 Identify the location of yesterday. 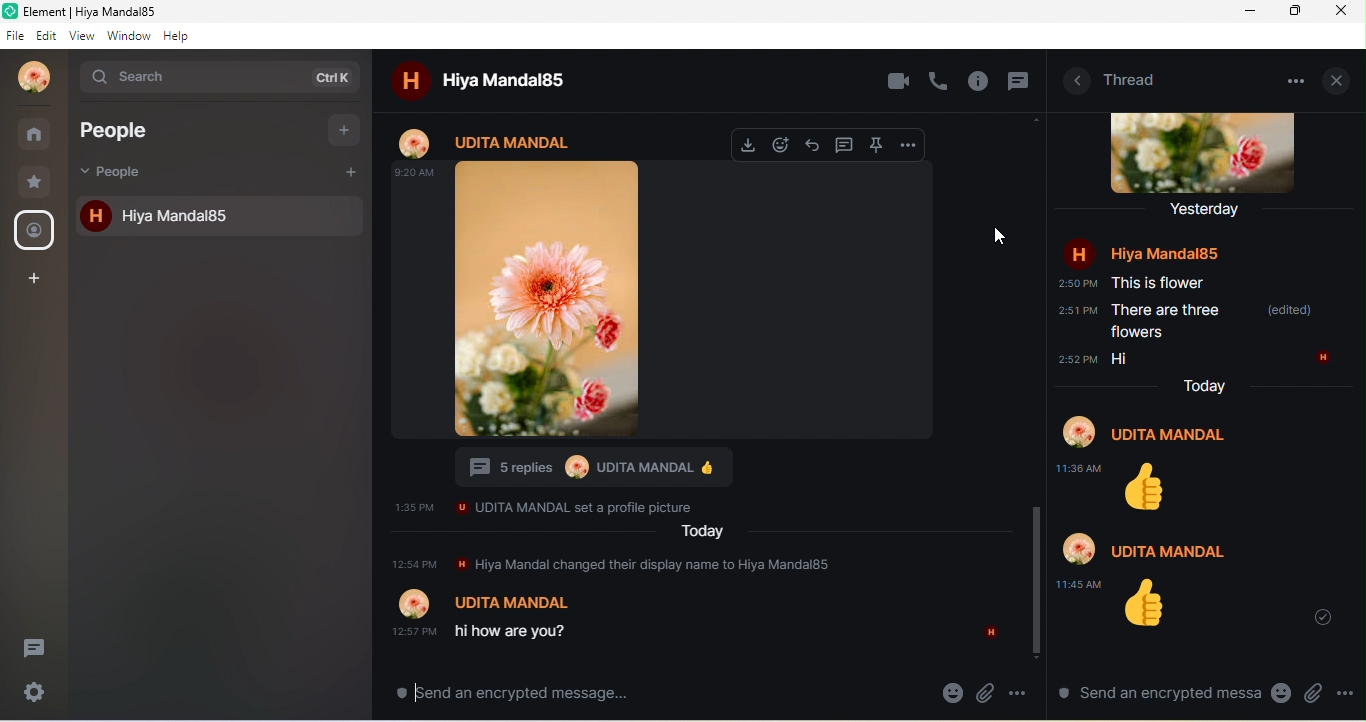
(1209, 210).